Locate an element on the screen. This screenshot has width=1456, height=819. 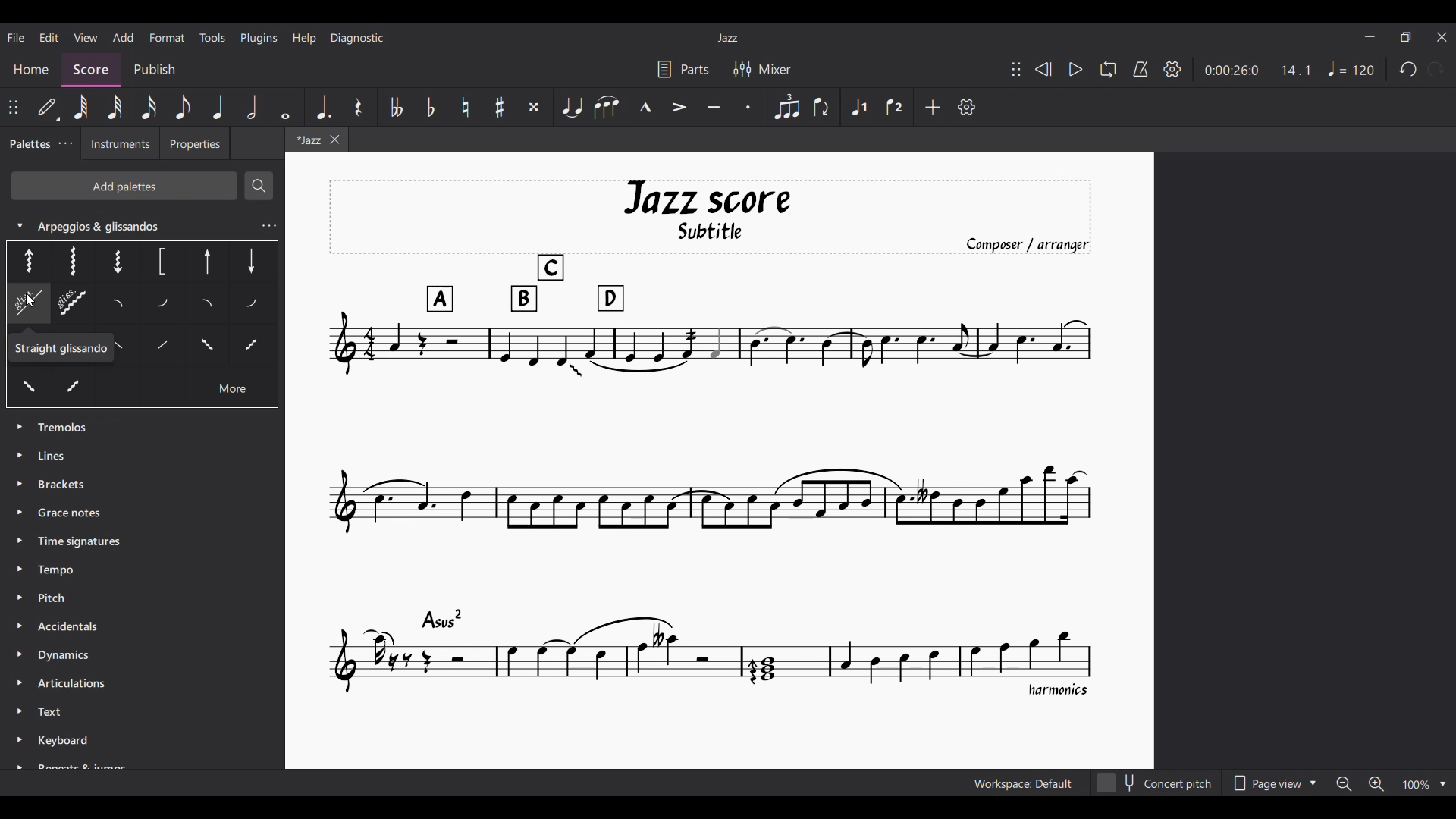
Accidentals is located at coordinates (76, 623).